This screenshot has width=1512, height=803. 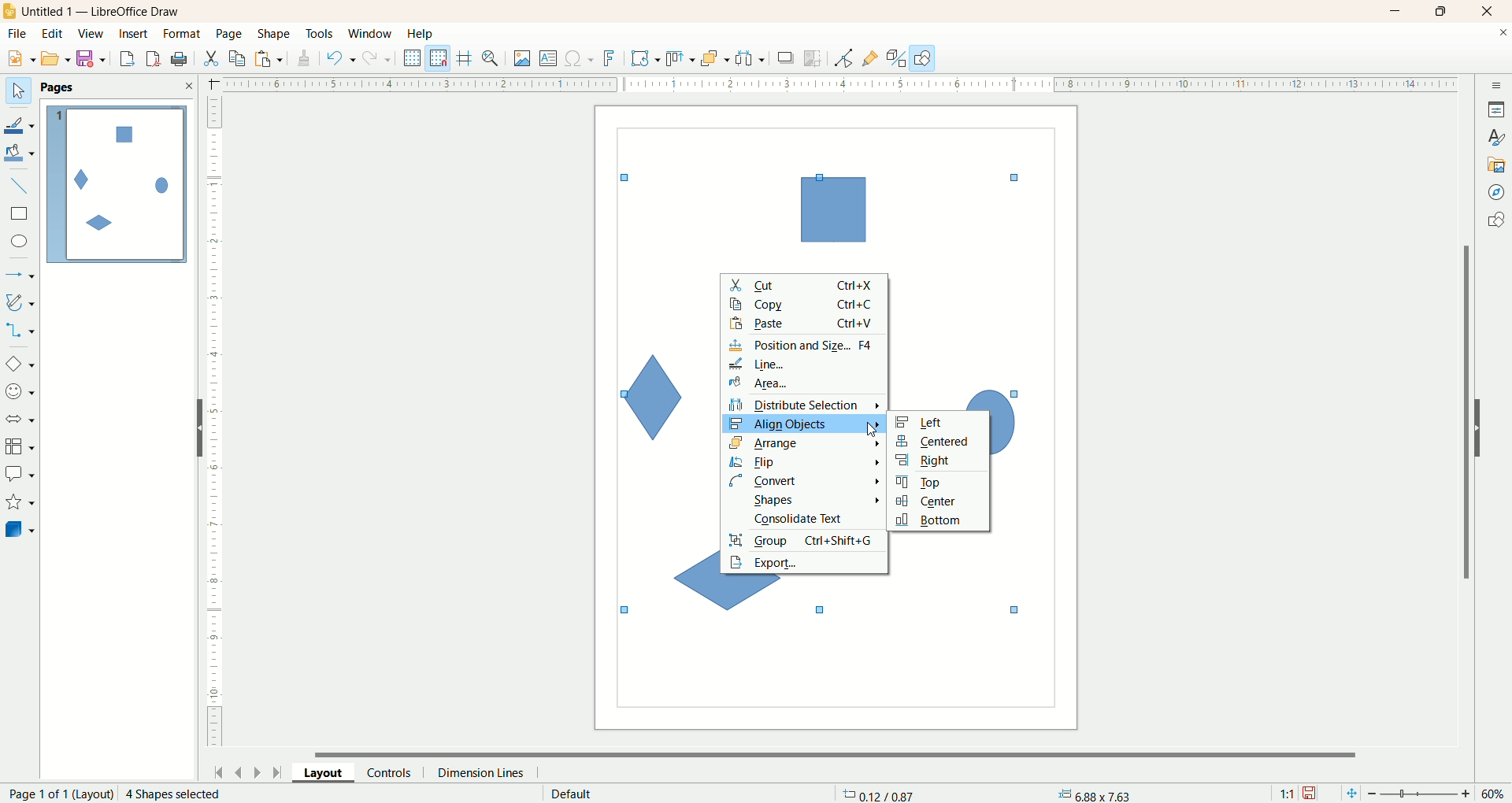 What do you see at coordinates (1495, 222) in the screenshot?
I see `shapes` at bounding box center [1495, 222].